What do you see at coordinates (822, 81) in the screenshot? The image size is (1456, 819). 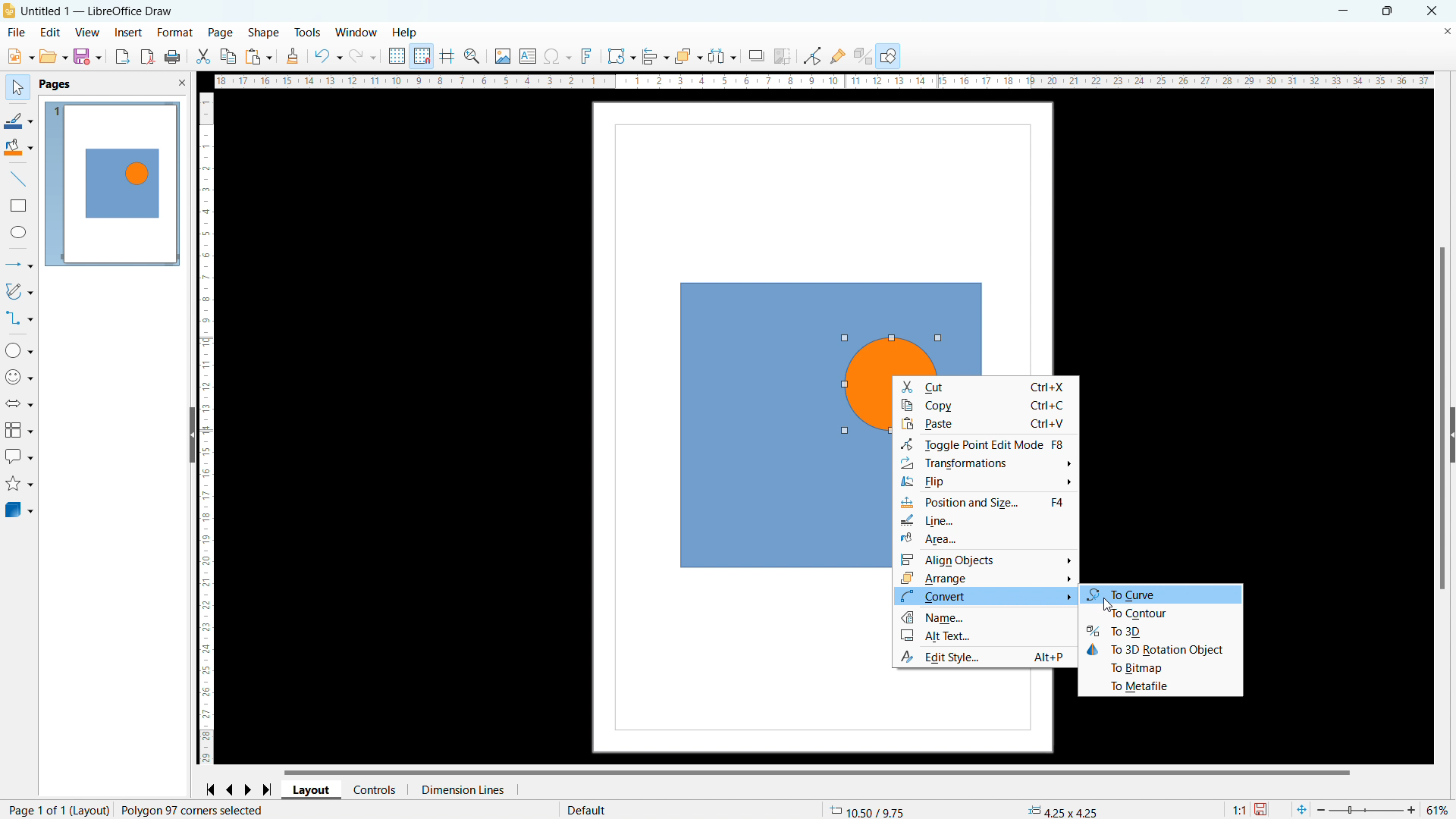 I see `horizontal ruler` at bounding box center [822, 81].